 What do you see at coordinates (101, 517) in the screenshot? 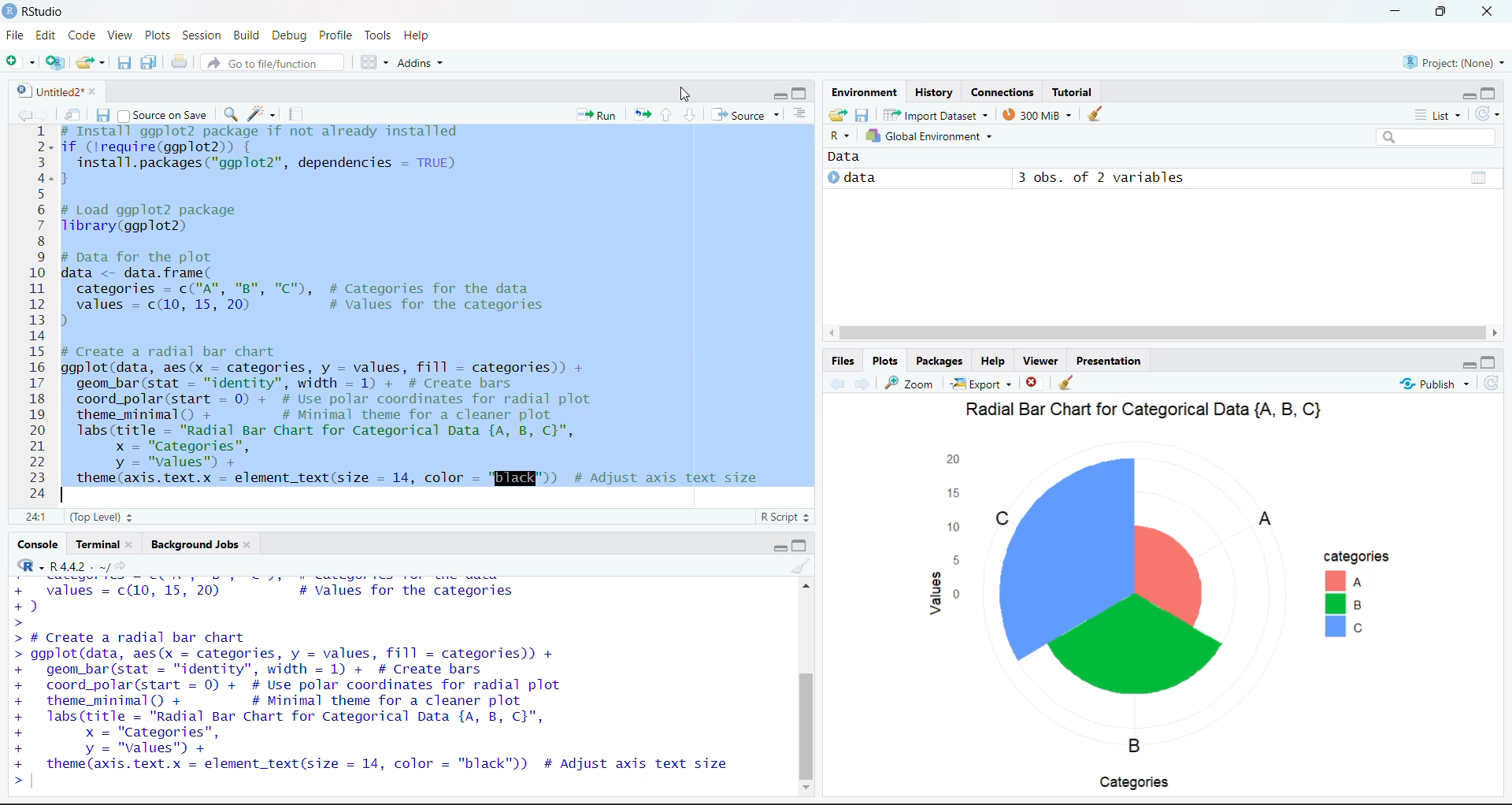
I see `(Top Level) ` at bounding box center [101, 517].